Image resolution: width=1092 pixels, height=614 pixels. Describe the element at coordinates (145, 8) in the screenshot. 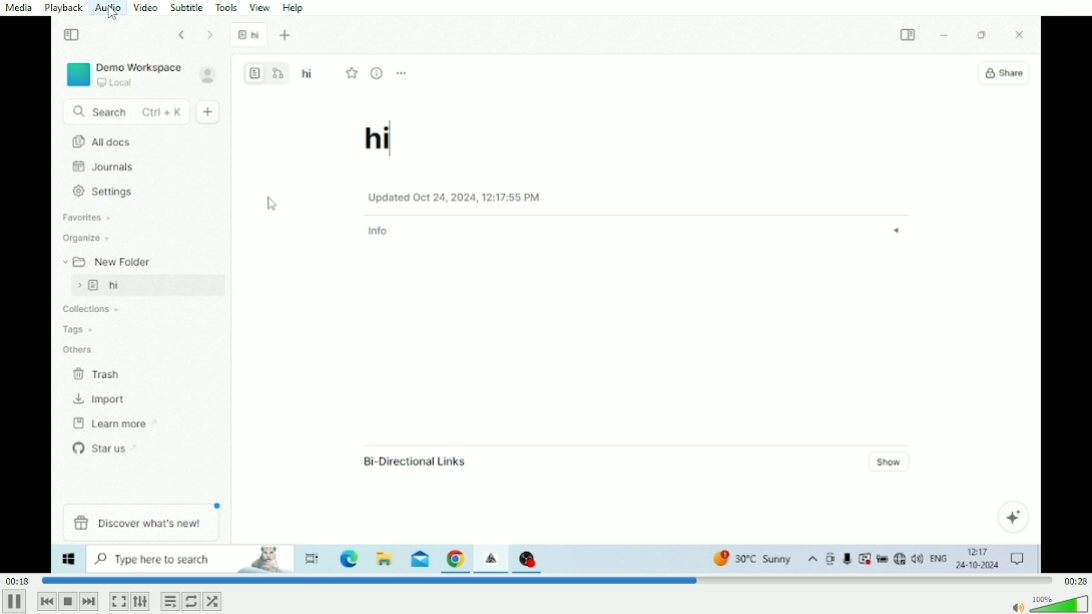

I see `Video` at that location.